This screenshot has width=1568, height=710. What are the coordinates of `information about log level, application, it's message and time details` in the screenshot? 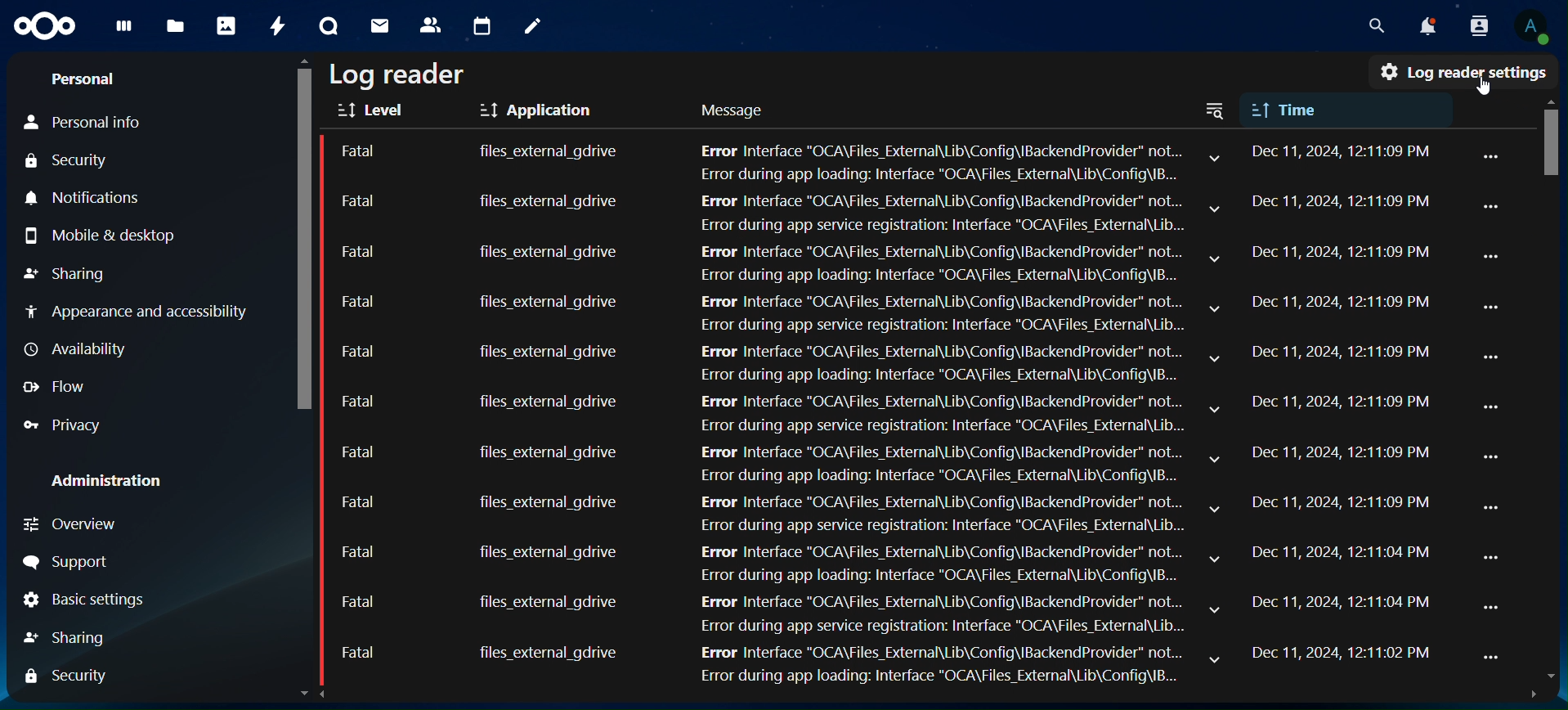 It's located at (885, 563).